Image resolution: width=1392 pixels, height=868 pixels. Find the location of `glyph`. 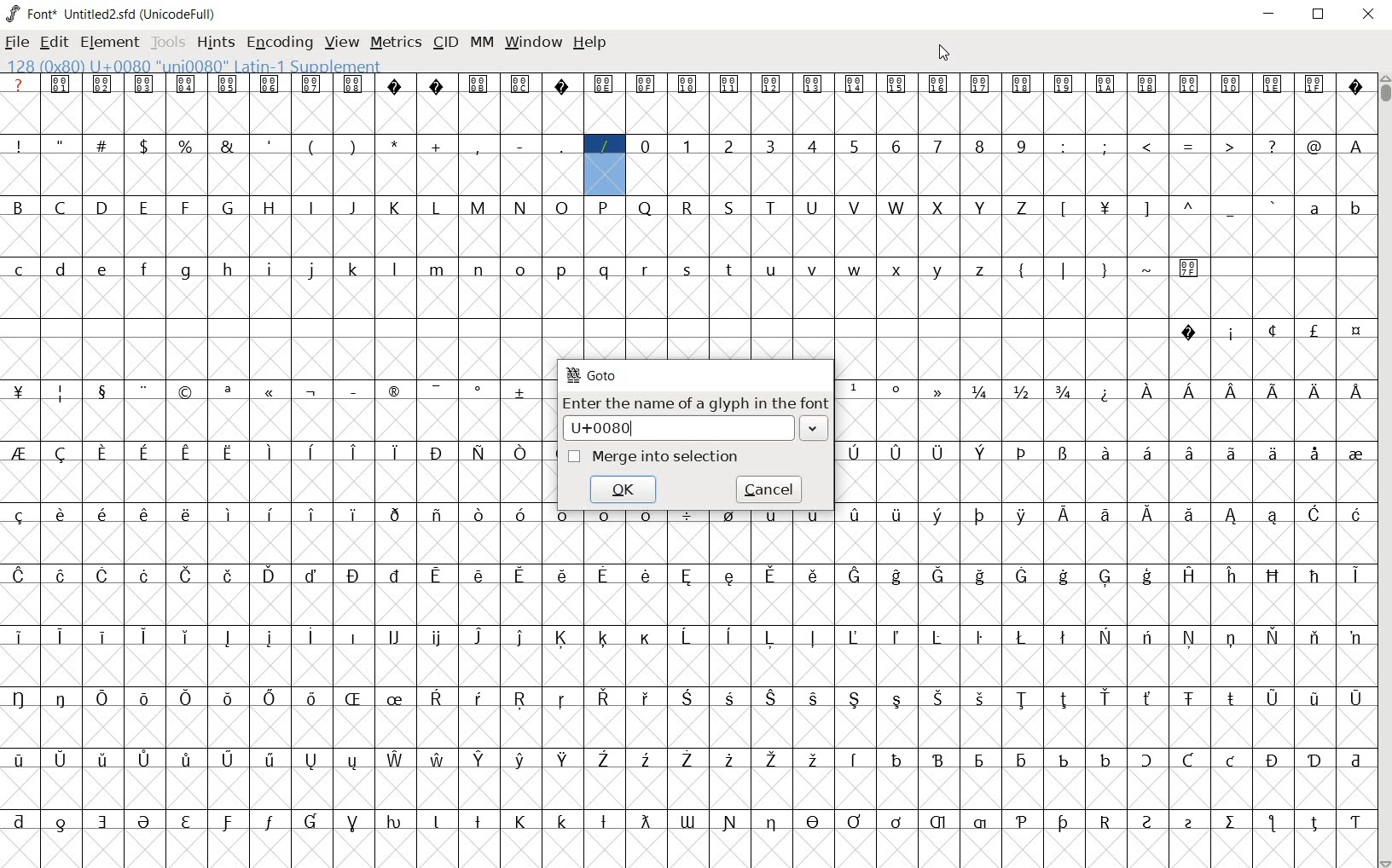

glyph is located at coordinates (1355, 639).